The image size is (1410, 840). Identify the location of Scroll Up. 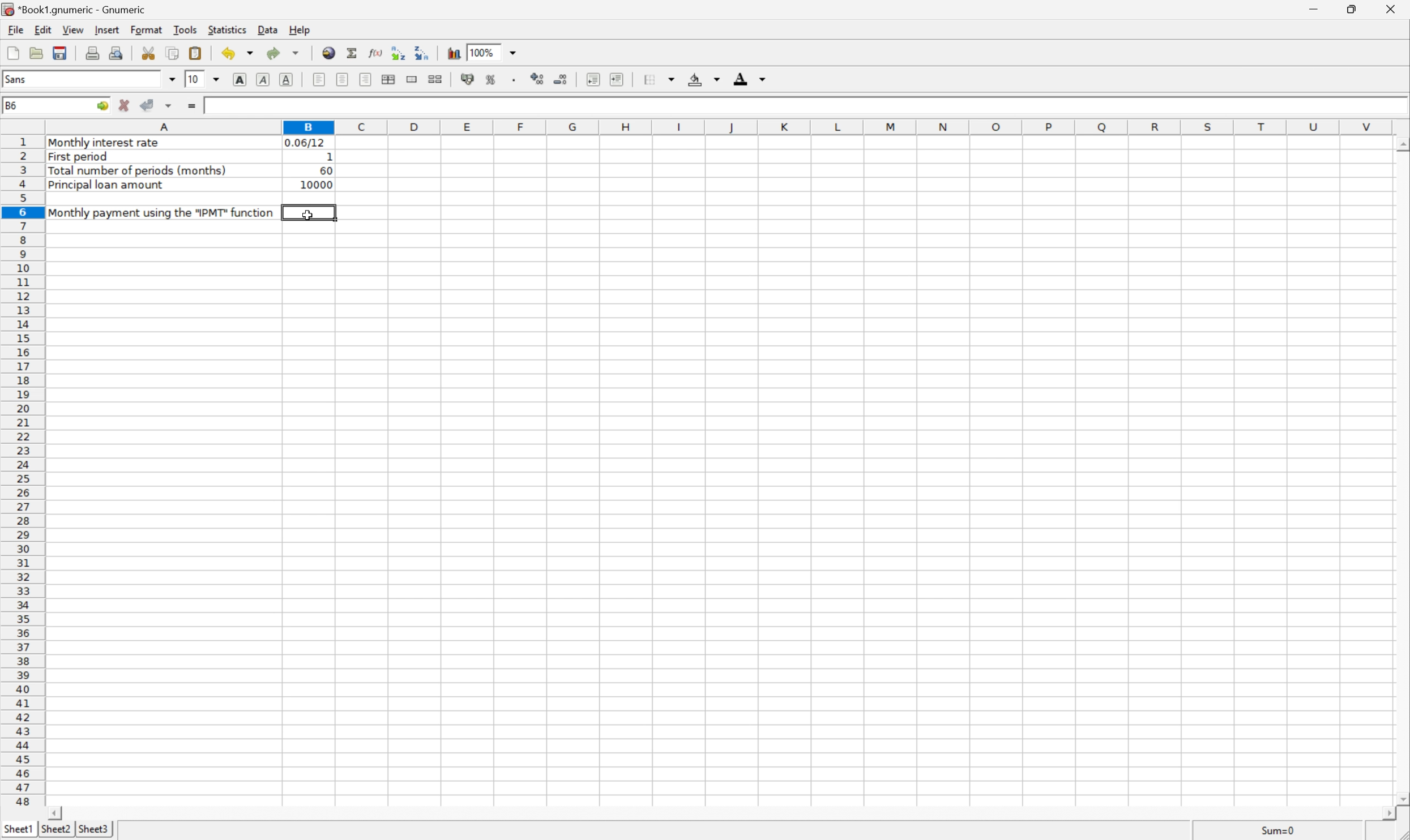
(1401, 143).